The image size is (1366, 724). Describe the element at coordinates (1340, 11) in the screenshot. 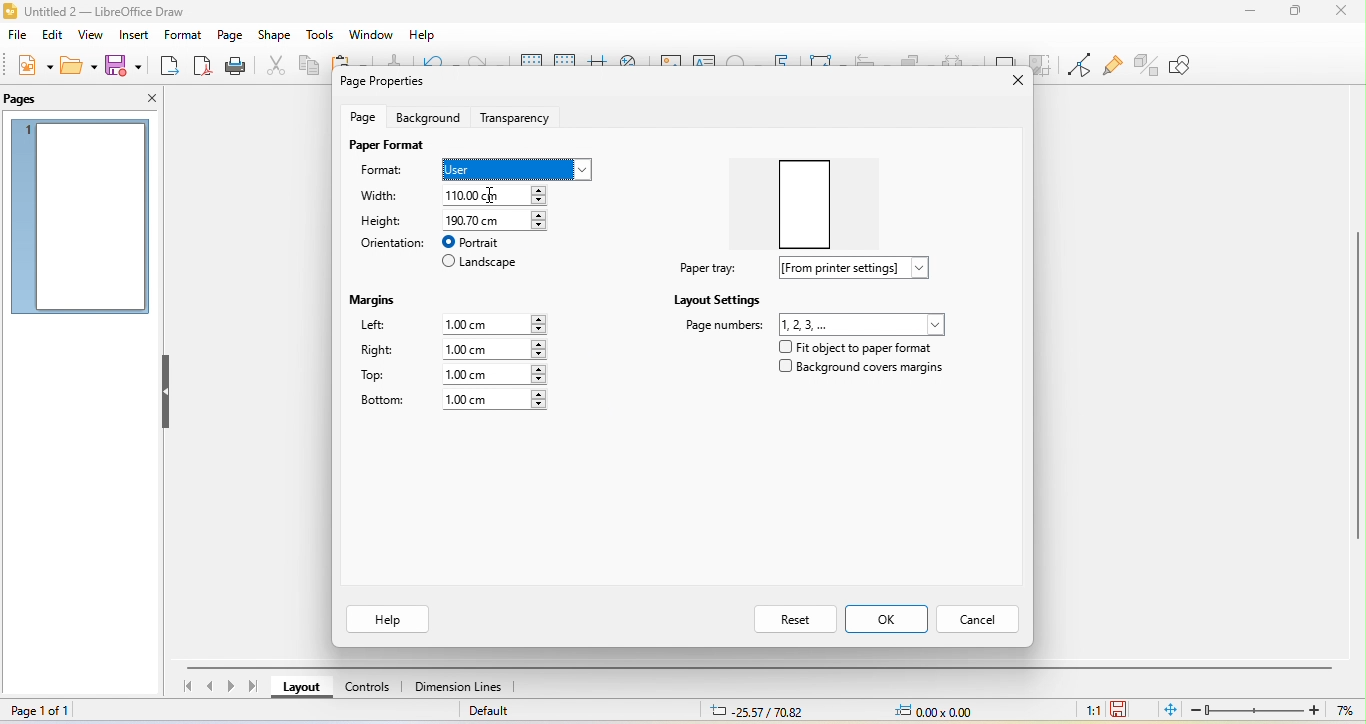

I see `close` at that location.